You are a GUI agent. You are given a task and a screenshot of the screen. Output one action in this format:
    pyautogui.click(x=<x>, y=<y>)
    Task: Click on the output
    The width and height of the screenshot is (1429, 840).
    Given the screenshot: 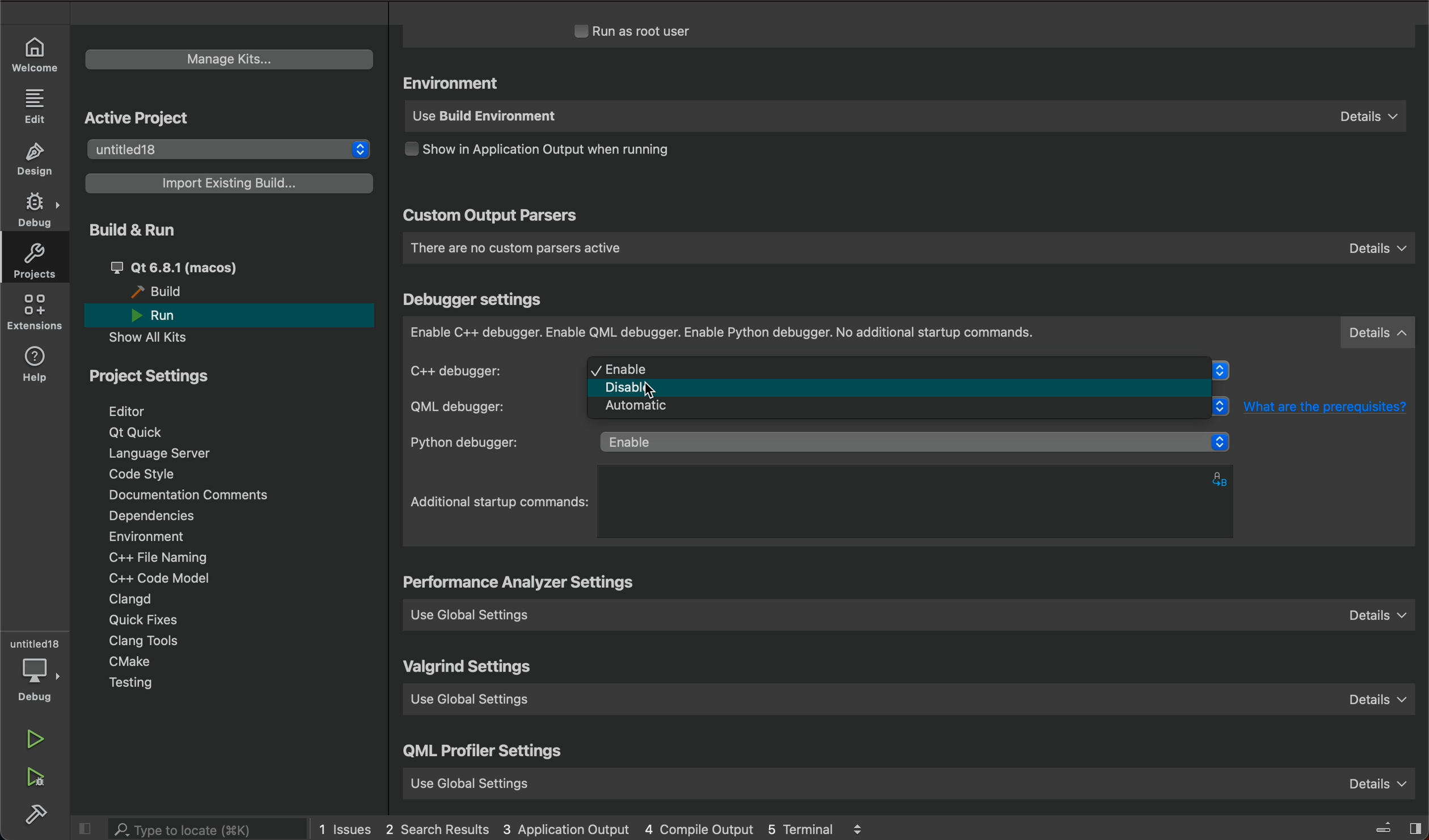 What is the action you would take?
    pyautogui.click(x=557, y=152)
    